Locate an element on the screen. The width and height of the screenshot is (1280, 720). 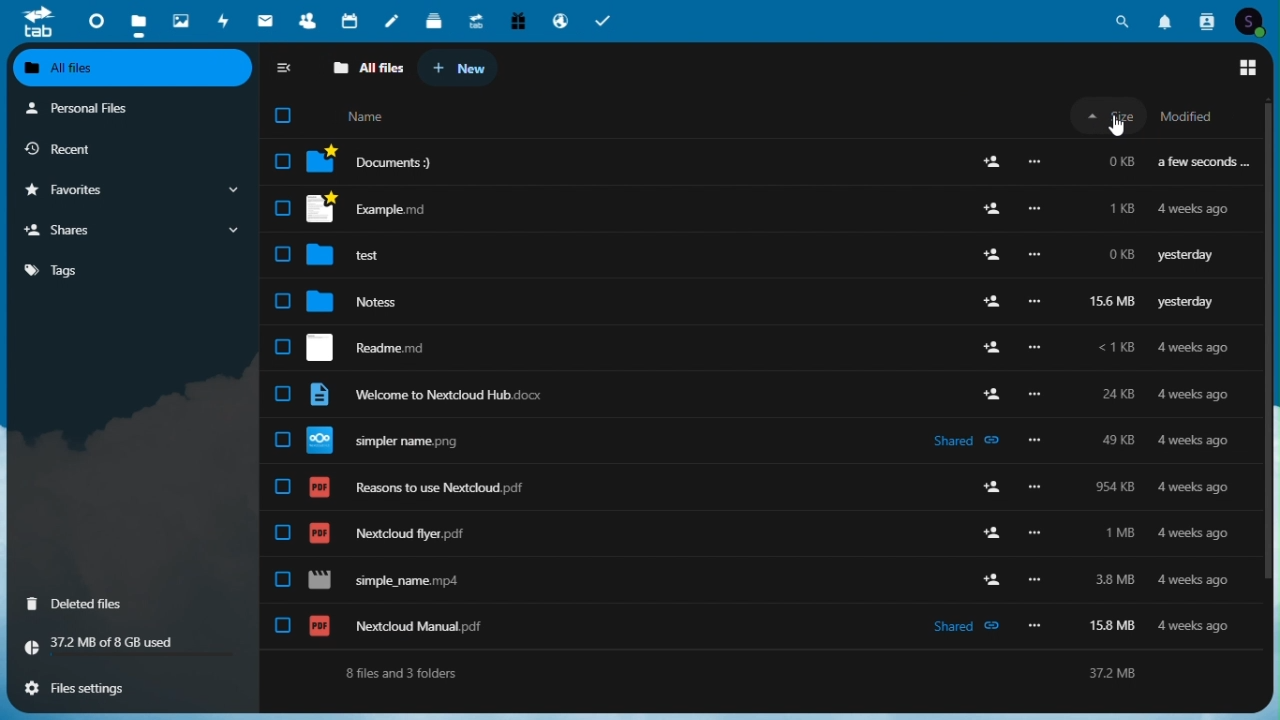
8 files and 3 folders. is located at coordinates (409, 679).